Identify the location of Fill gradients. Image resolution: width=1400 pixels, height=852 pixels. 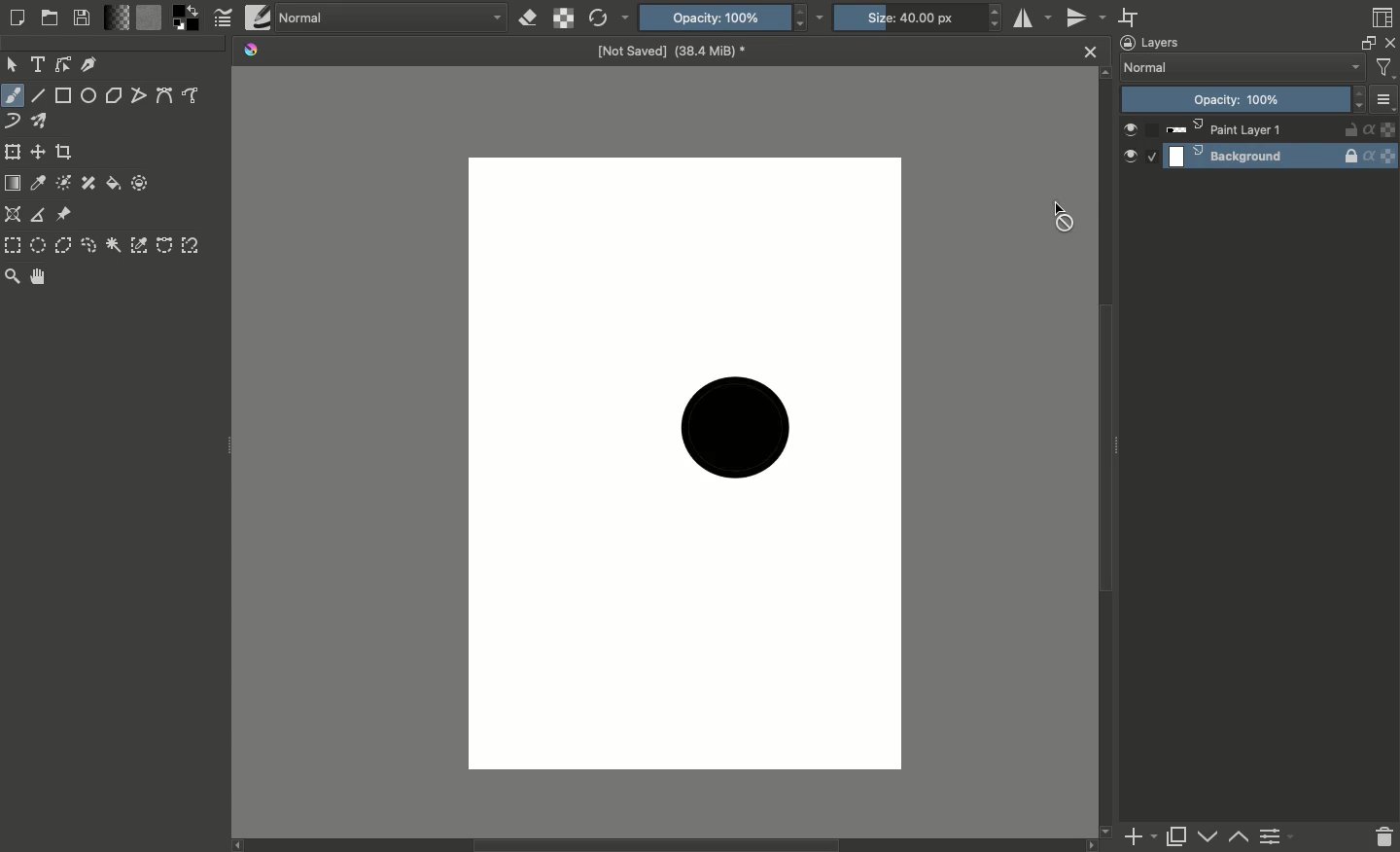
(118, 18).